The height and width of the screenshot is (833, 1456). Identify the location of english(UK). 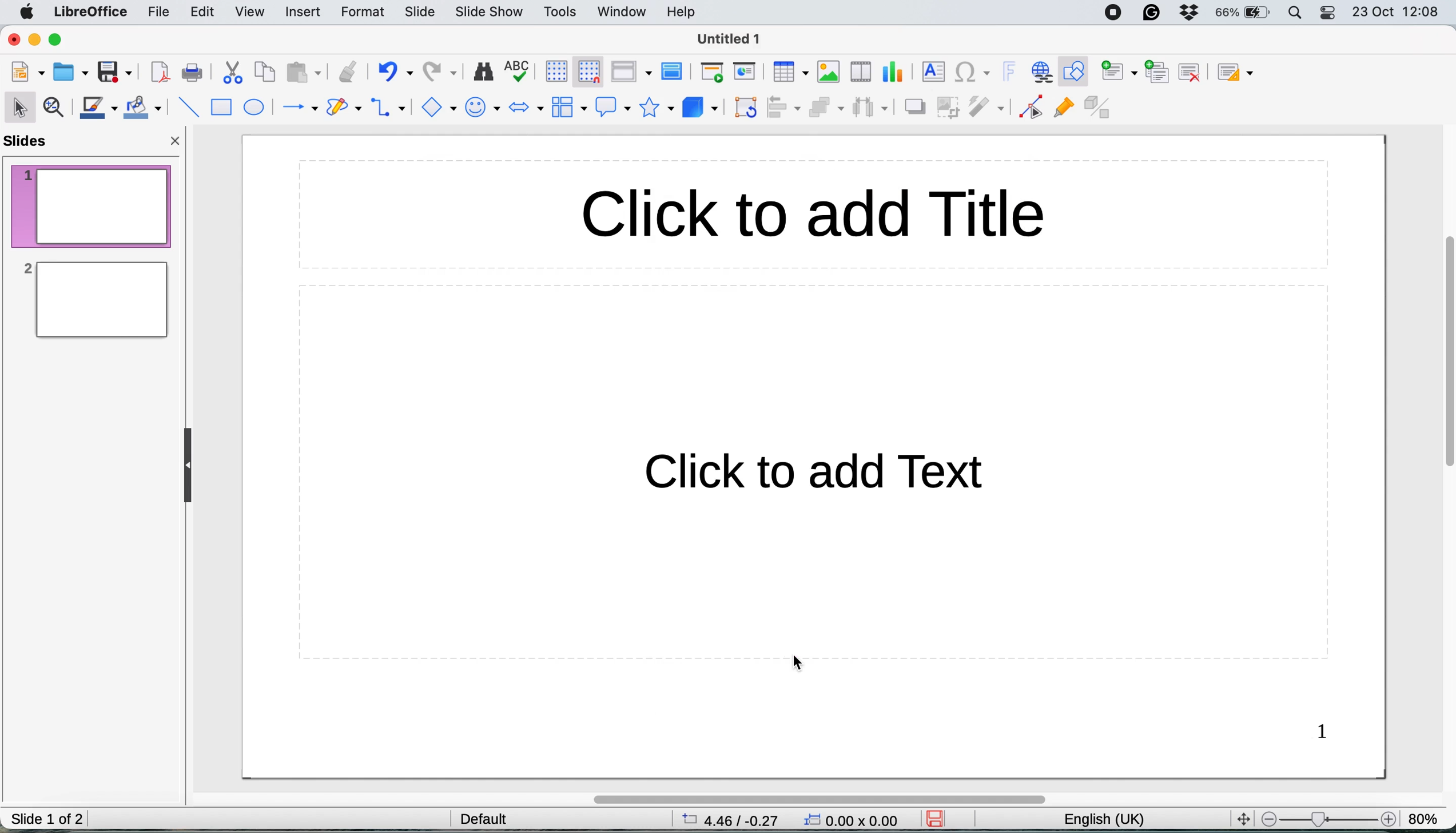
(1116, 820).